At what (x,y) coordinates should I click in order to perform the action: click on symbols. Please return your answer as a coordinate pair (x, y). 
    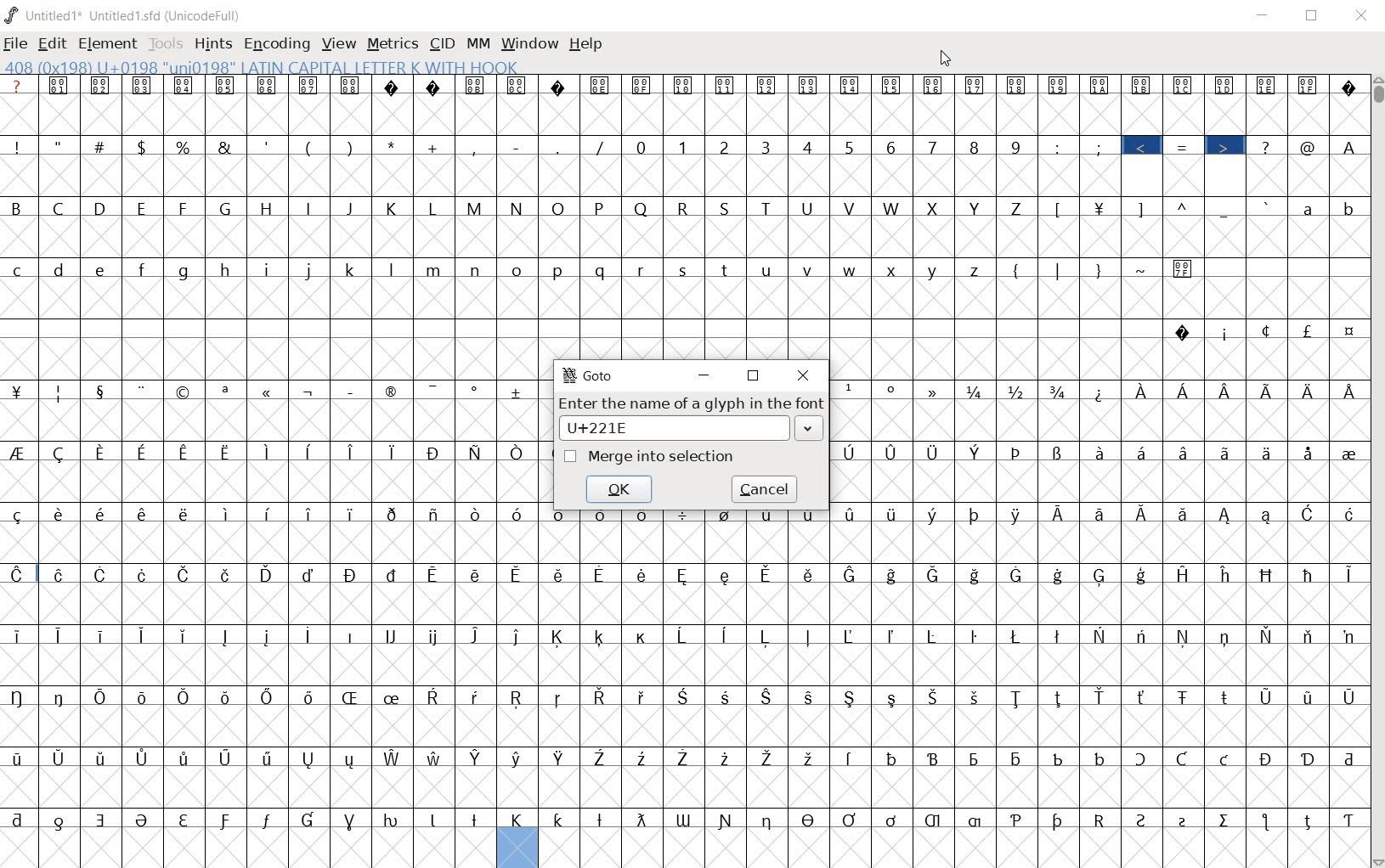
    Looking at the image, I should click on (314, 144).